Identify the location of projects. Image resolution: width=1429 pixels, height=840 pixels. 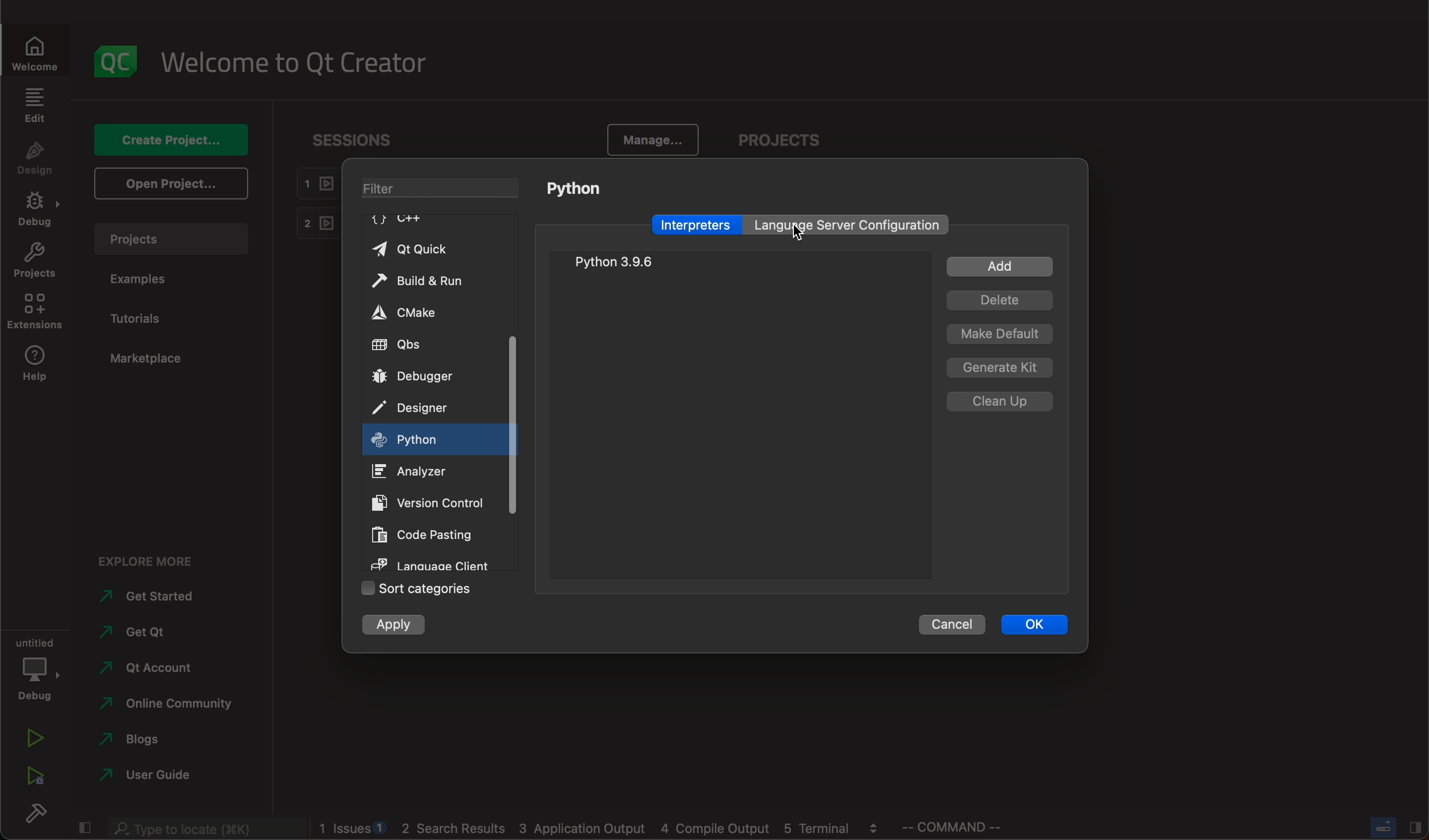
(33, 261).